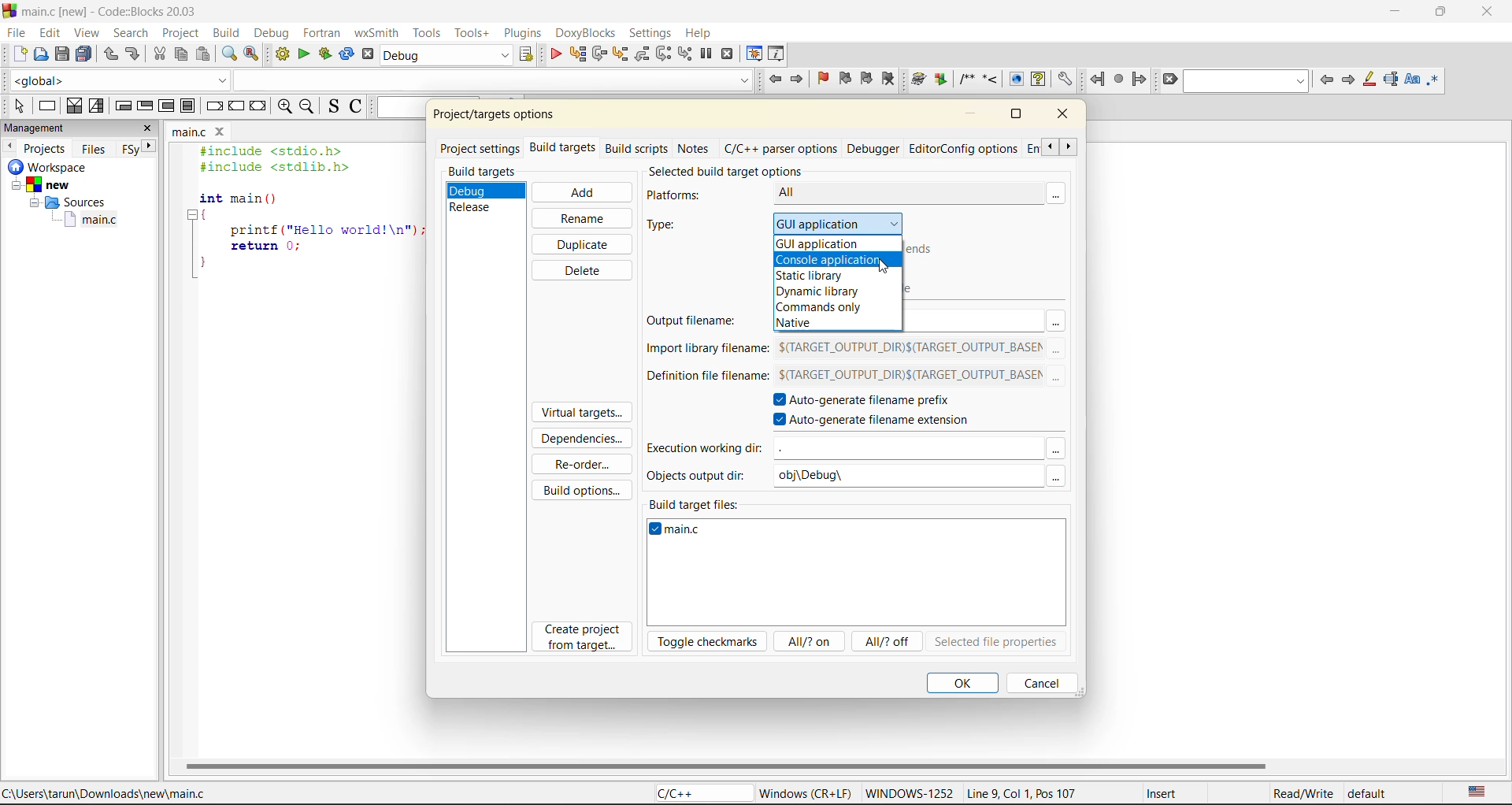 The height and width of the screenshot is (805, 1512). Describe the element at coordinates (251, 52) in the screenshot. I see `replace` at that location.